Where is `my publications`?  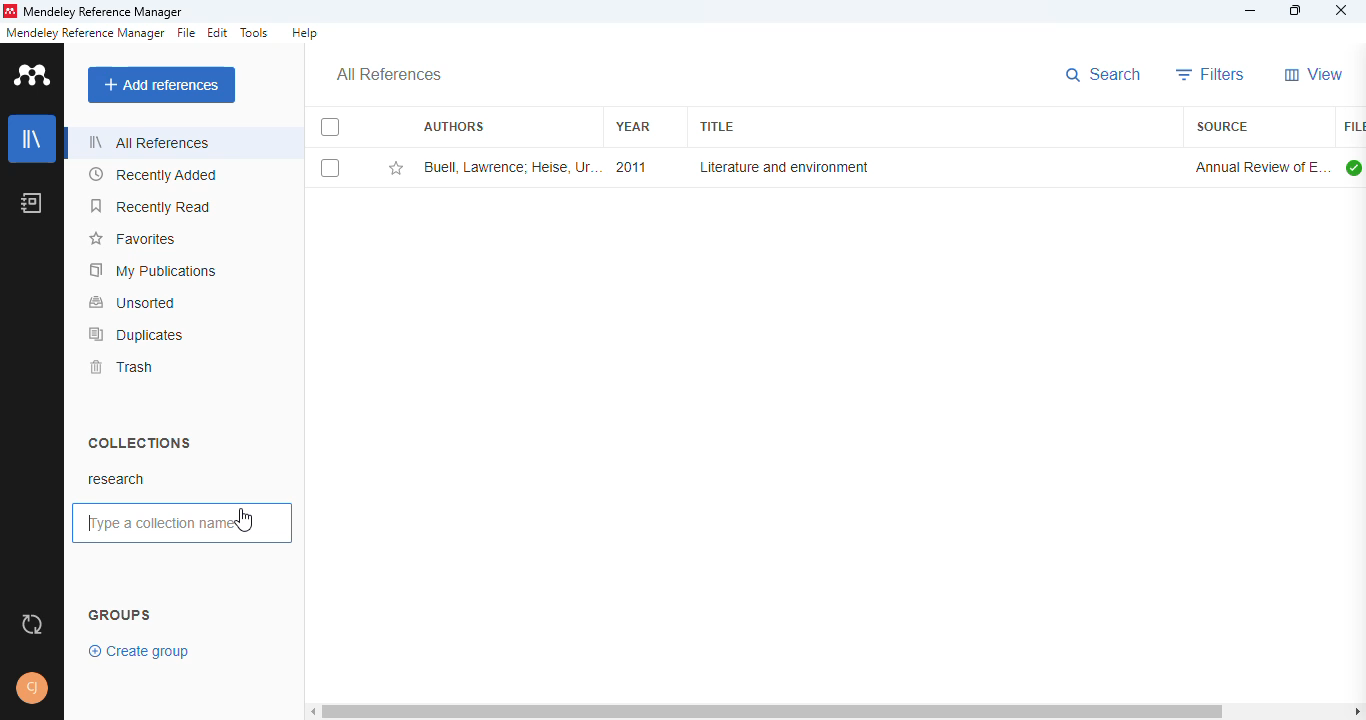 my publications is located at coordinates (153, 271).